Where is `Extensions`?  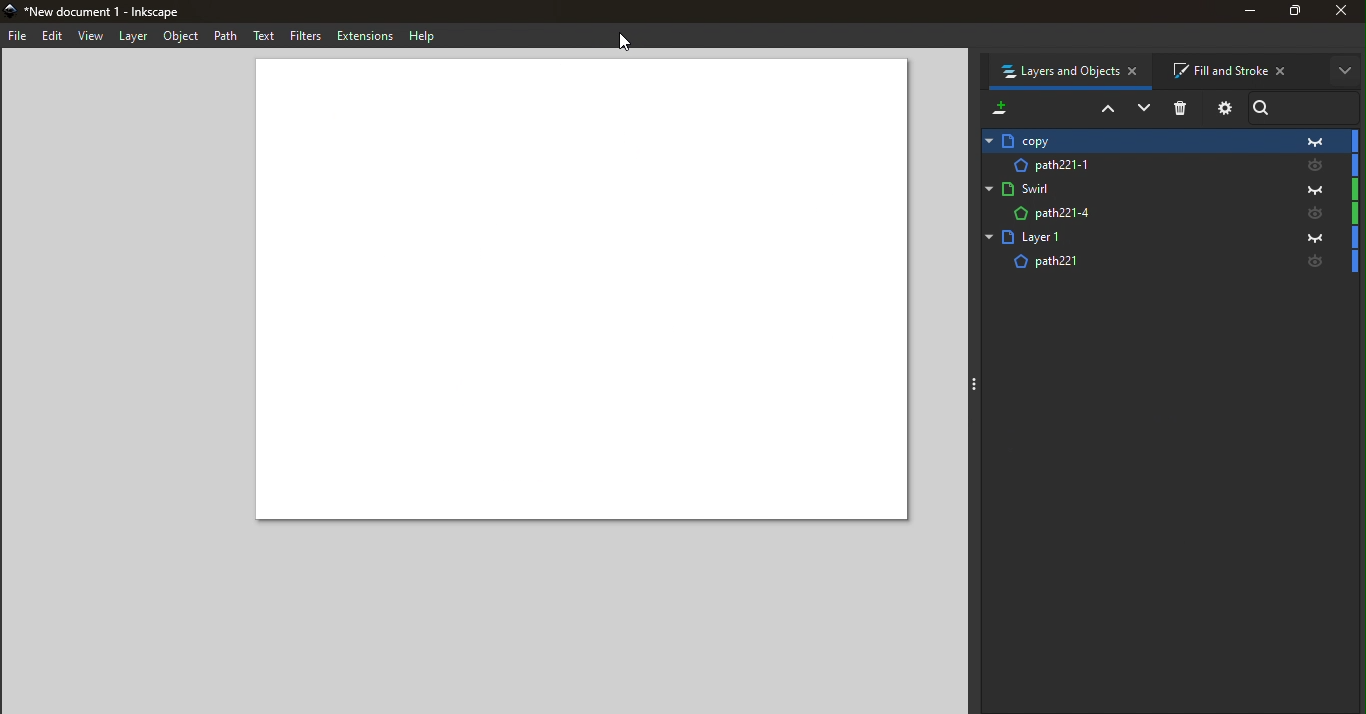
Extensions is located at coordinates (365, 35).